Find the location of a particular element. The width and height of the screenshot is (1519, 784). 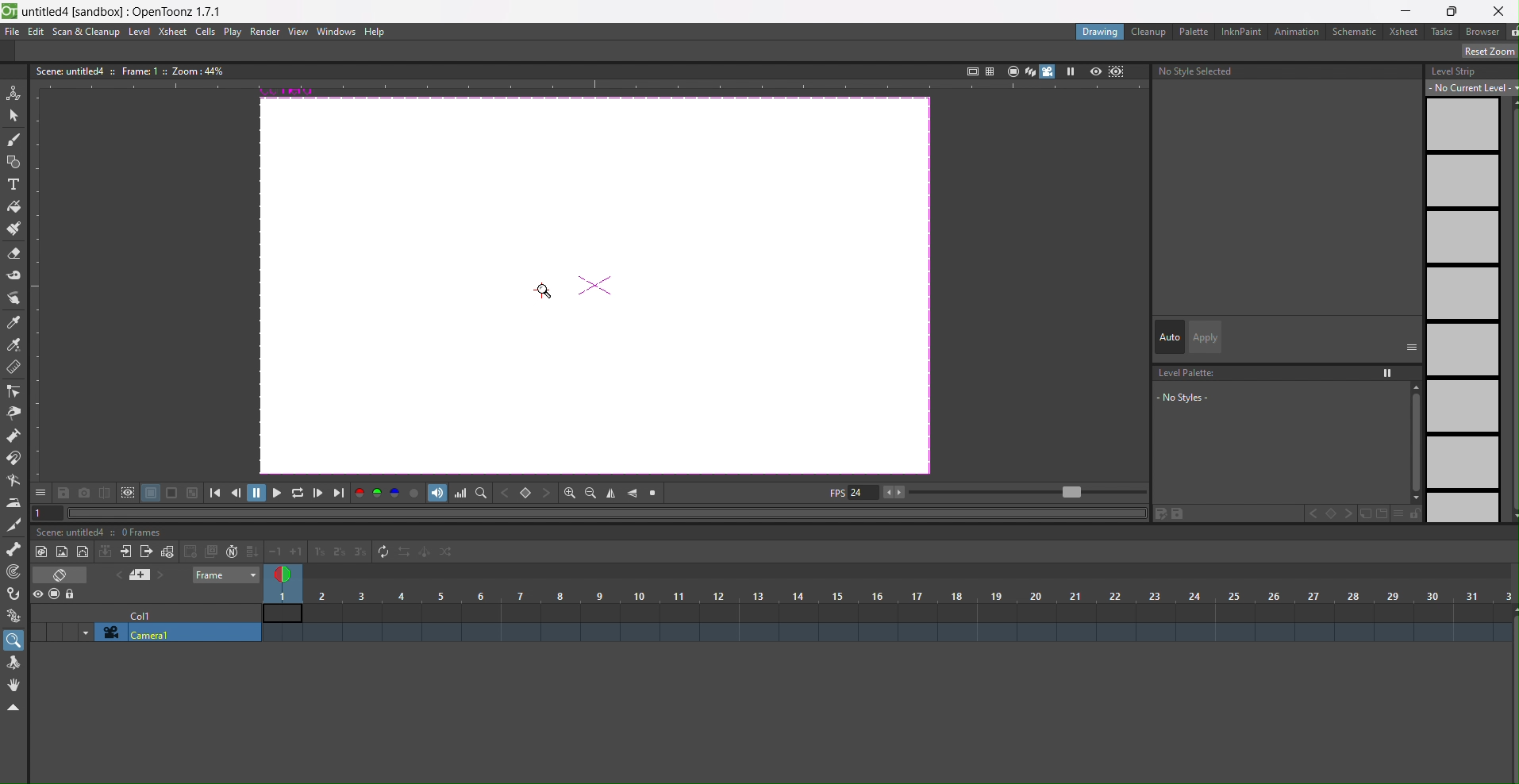

 is located at coordinates (15, 686).